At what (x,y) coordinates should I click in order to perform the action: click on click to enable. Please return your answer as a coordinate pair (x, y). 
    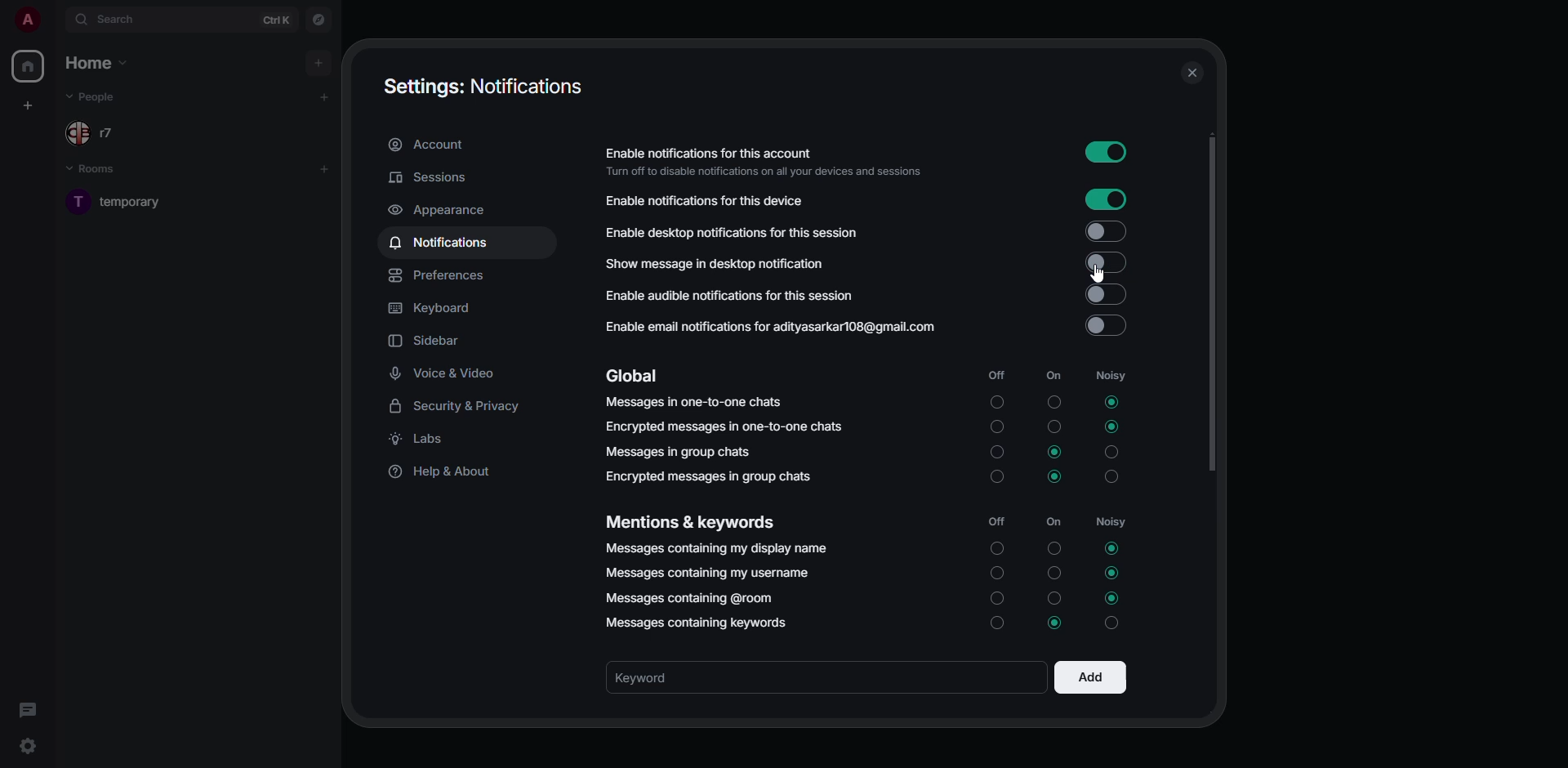
    Looking at the image, I should click on (1105, 231).